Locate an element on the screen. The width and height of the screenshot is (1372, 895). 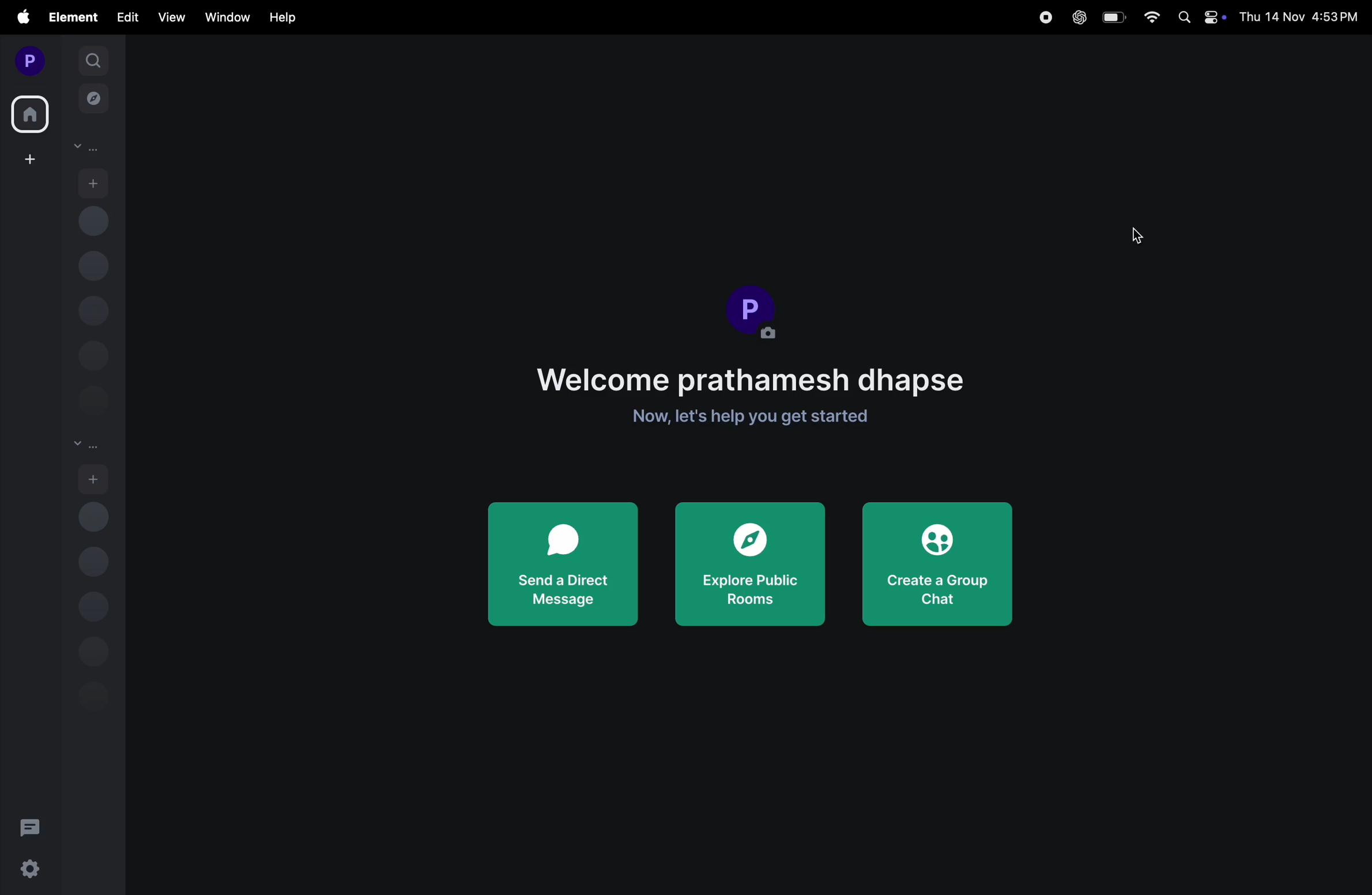
explore rooms is located at coordinates (93, 96).